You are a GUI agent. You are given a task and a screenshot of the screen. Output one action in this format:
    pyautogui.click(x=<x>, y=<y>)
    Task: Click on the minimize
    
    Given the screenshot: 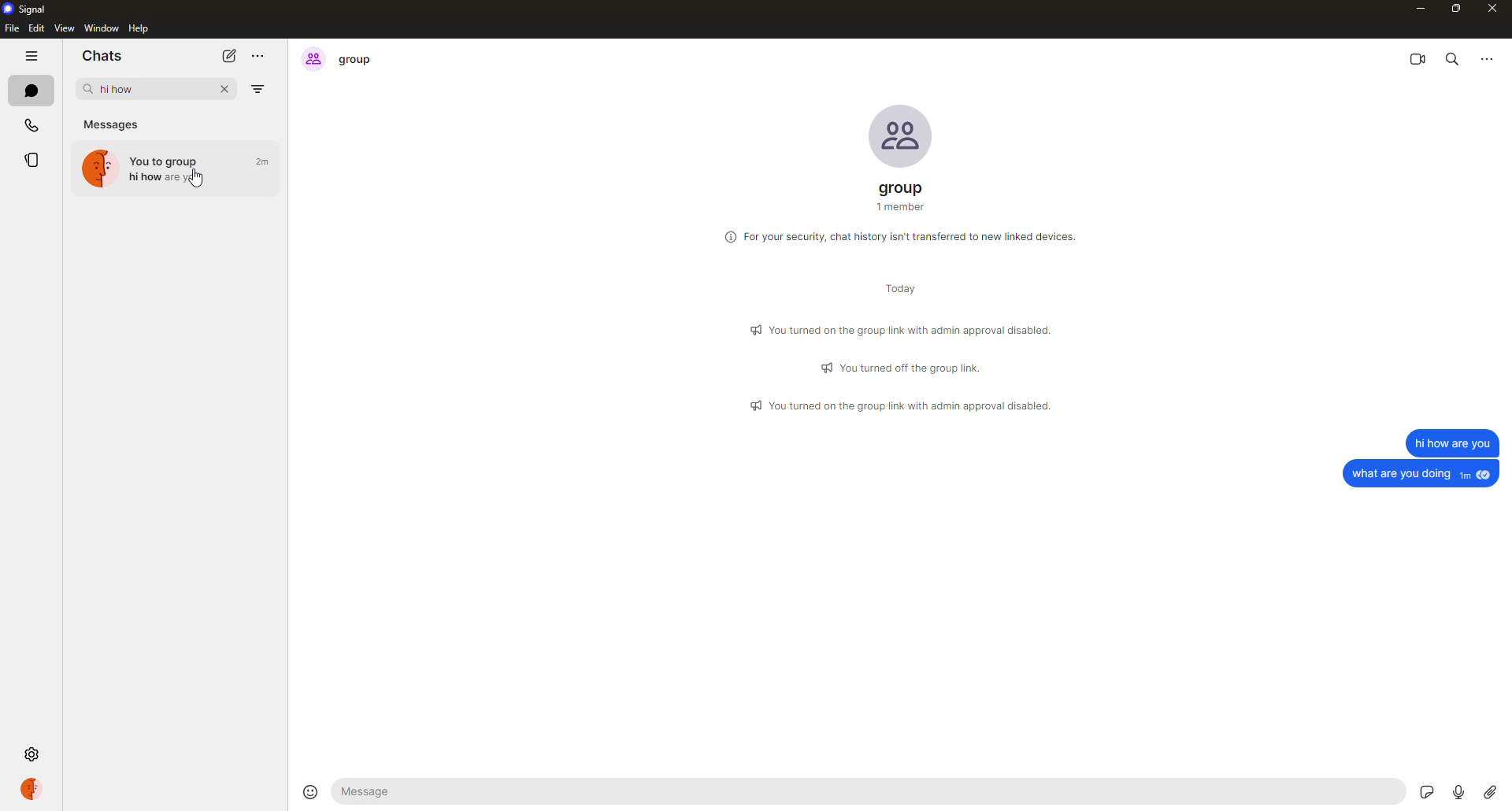 What is the action you would take?
    pyautogui.click(x=1416, y=8)
    